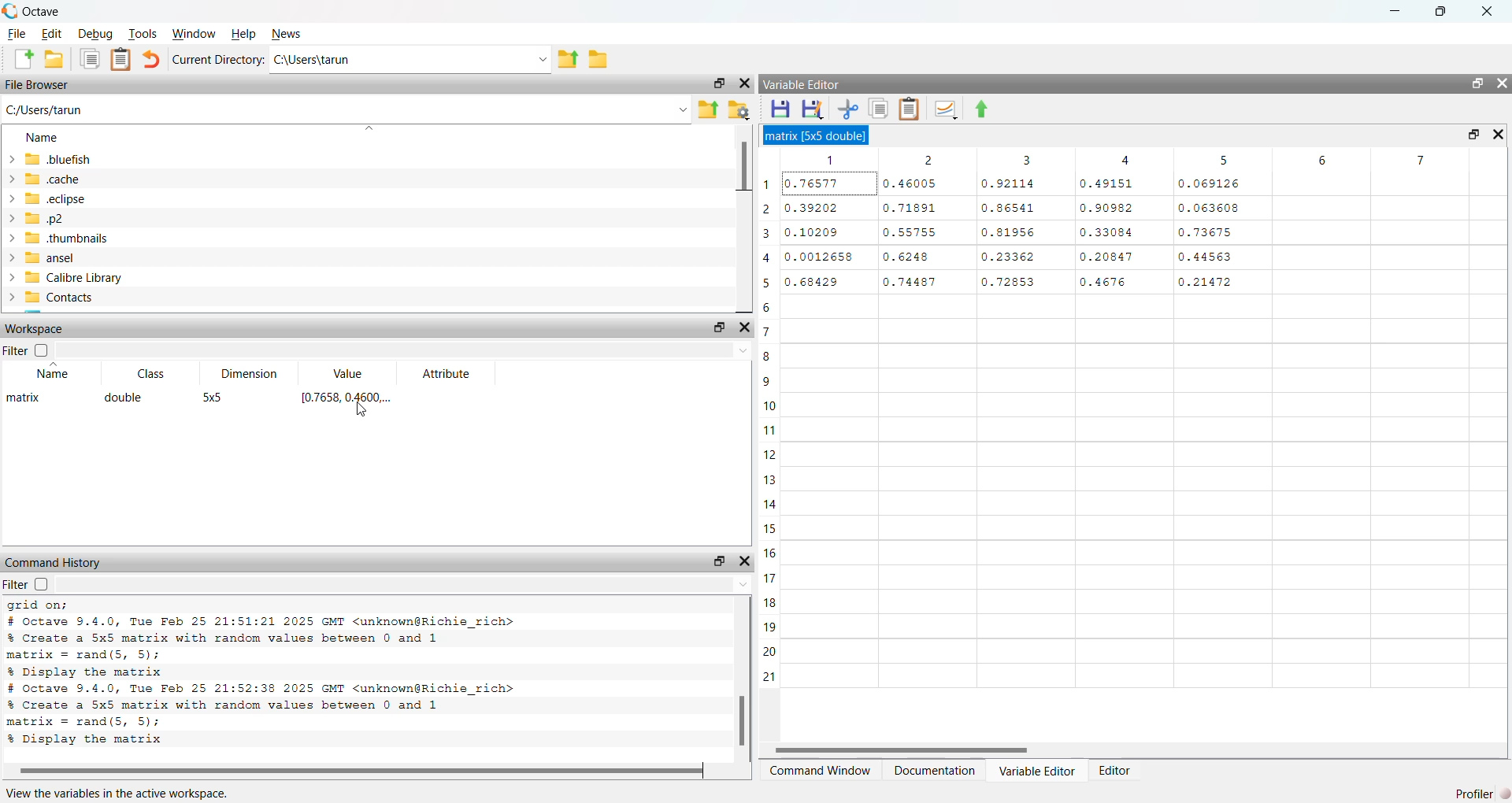  What do you see at coordinates (243, 368) in the screenshot?
I see `Dimension` at bounding box center [243, 368].